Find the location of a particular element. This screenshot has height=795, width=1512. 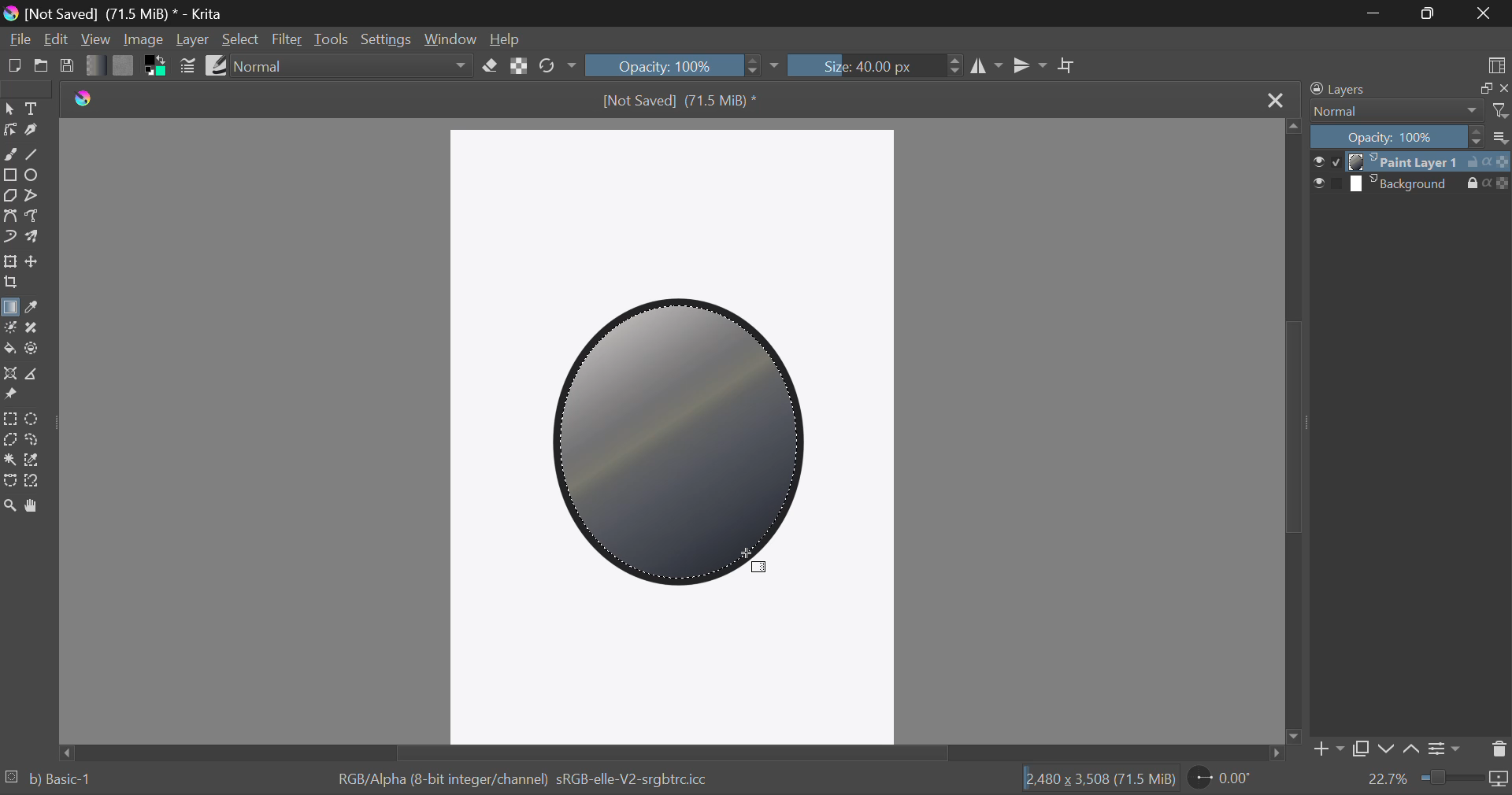

RGB/Alpha (8-bit integer/channel) sRGB-elle-V2-srgbtrc.icc is located at coordinates (526, 779).